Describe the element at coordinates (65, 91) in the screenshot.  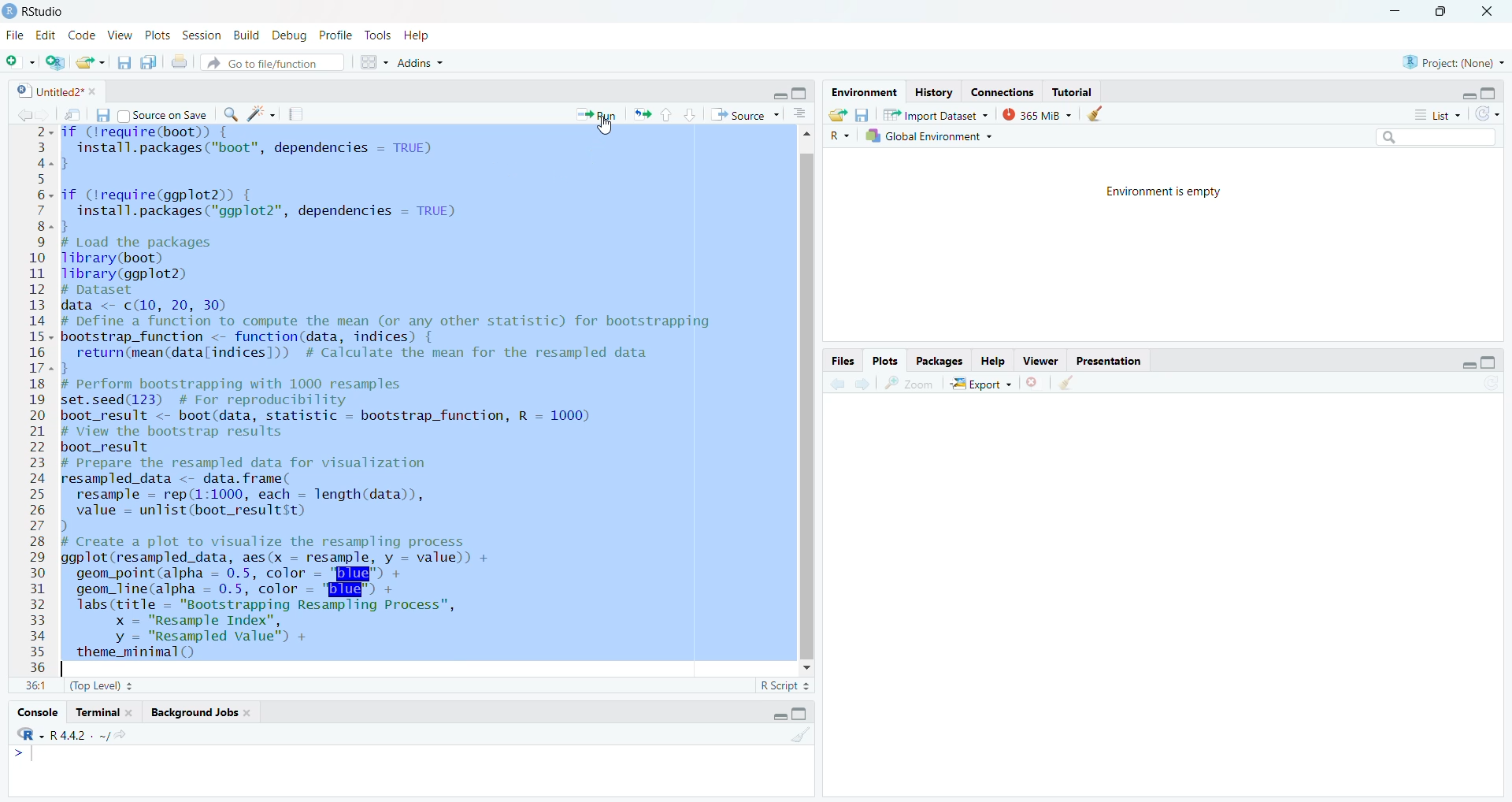
I see ` Untitled2` at that location.